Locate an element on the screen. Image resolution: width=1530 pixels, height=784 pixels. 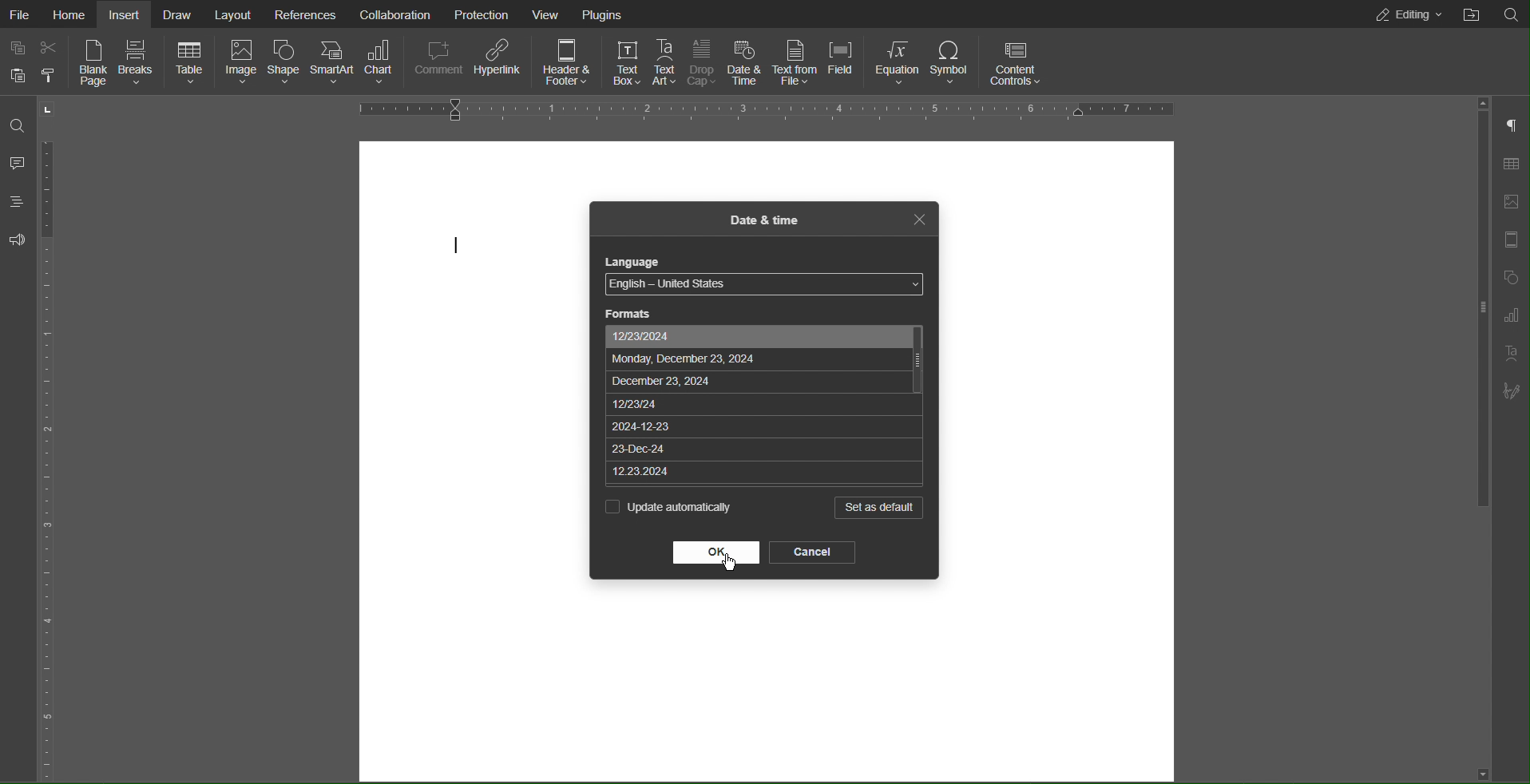
Header & Footer is located at coordinates (1515, 241).